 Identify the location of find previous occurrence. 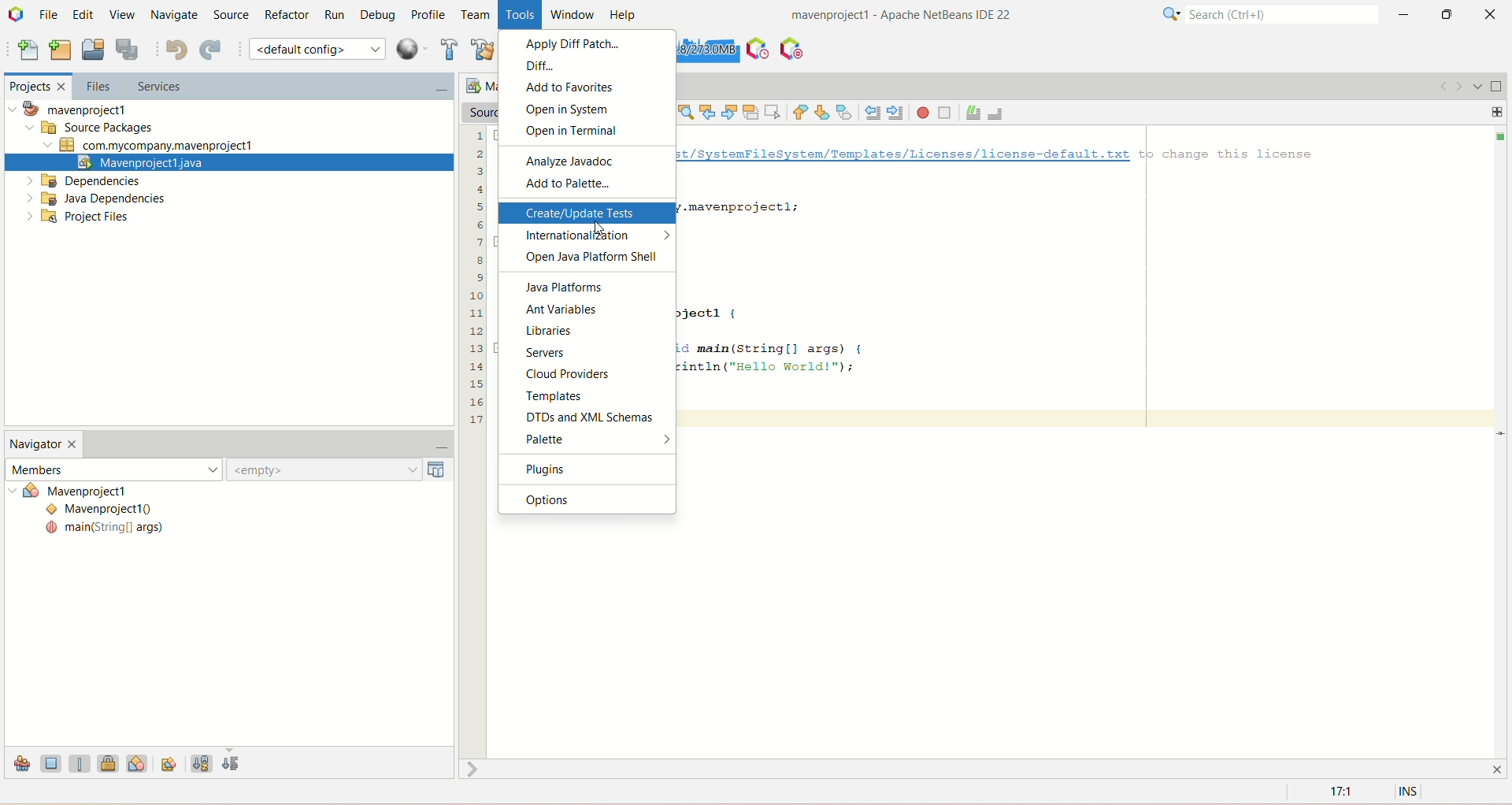
(710, 112).